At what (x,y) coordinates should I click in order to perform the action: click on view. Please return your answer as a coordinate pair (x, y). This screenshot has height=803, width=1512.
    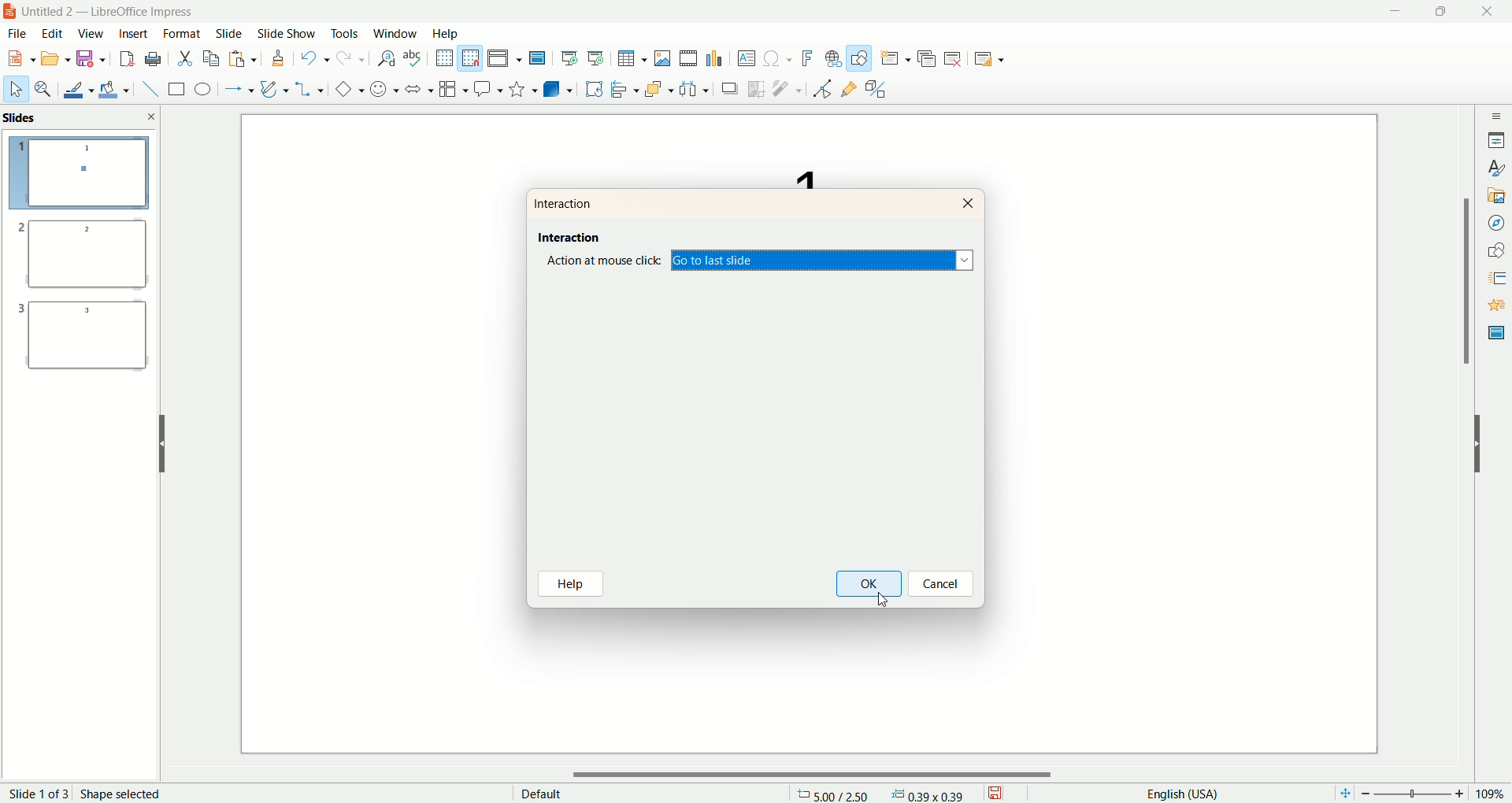
    Looking at the image, I should click on (88, 35).